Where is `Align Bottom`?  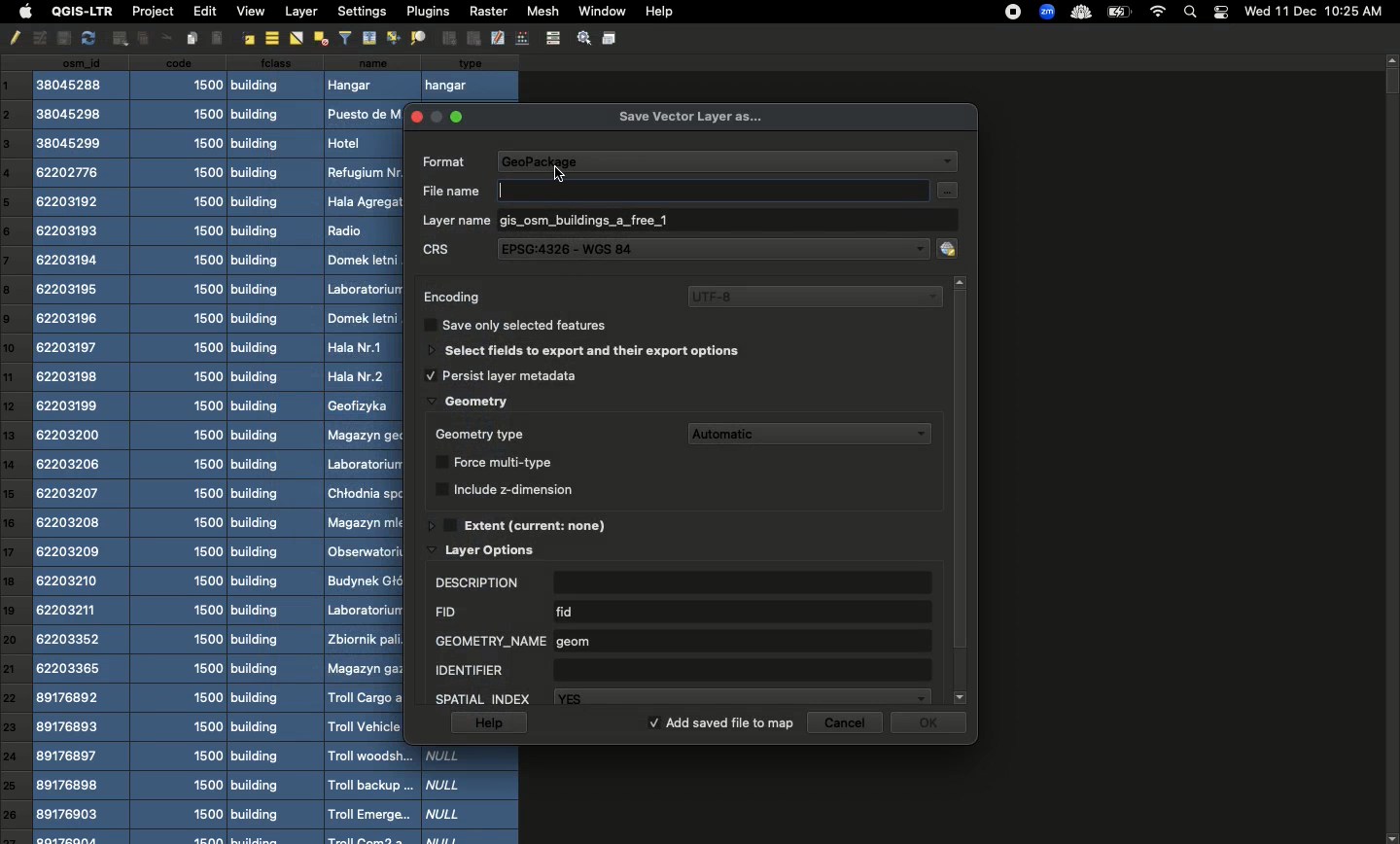 Align Bottom is located at coordinates (394, 38).